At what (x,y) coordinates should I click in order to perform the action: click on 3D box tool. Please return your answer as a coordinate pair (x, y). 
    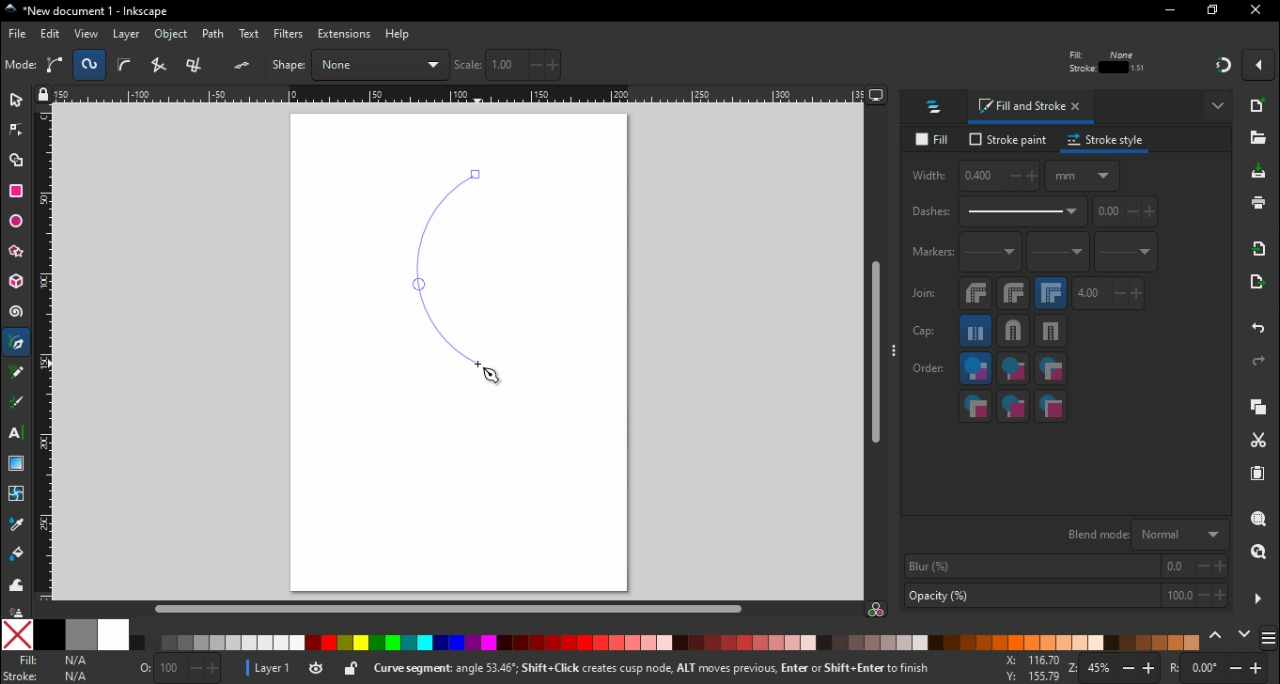
    Looking at the image, I should click on (16, 284).